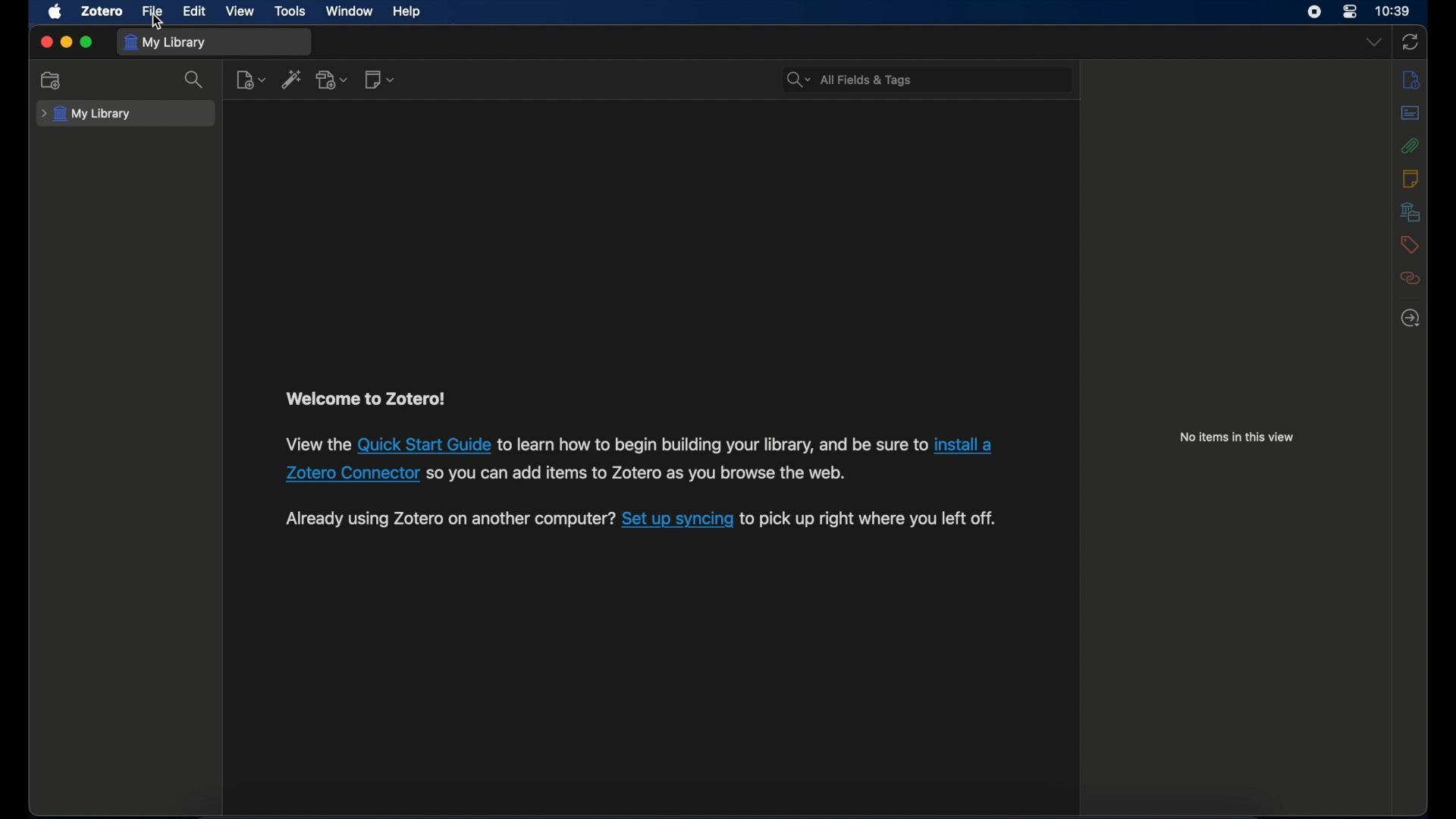 The width and height of the screenshot is (1456, 819). What do you see at coordinates (1411, 80) in the screenshot?
I see `info` at bounding box center [1411, 80].